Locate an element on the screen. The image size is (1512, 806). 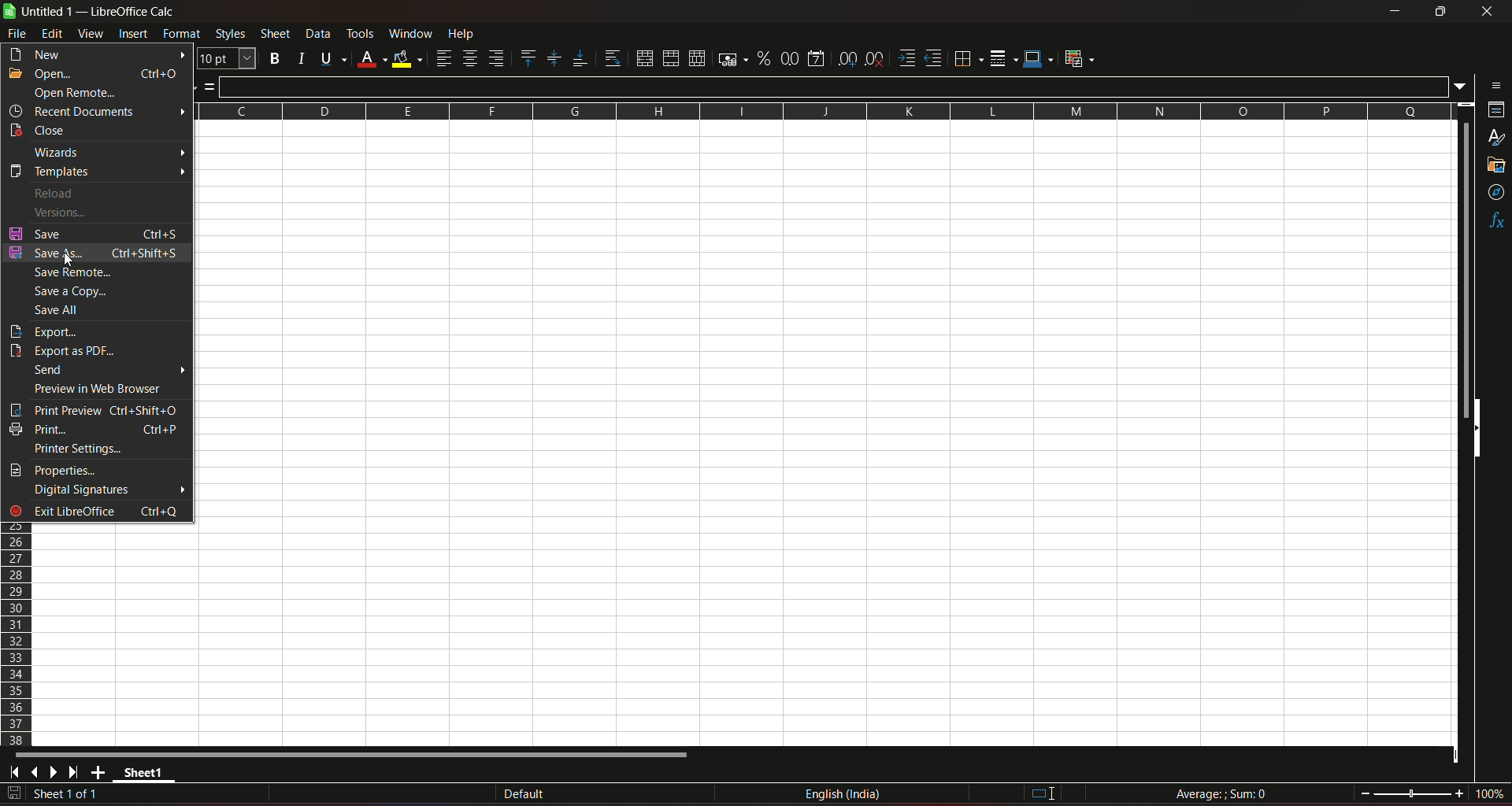
gallery is located at coordinates (1497, 168).